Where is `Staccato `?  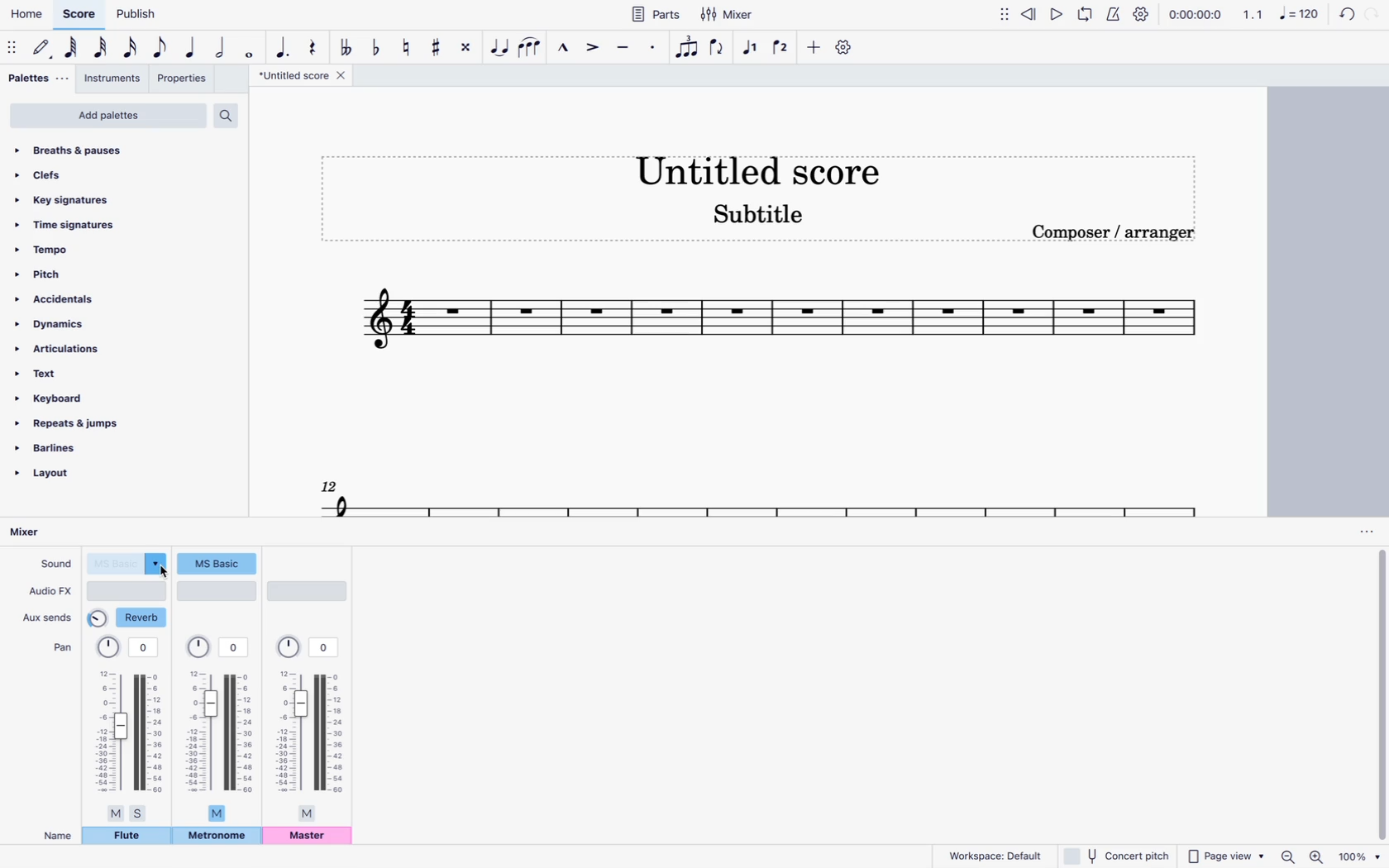 Staccato  is located at coordinates (655, 45).